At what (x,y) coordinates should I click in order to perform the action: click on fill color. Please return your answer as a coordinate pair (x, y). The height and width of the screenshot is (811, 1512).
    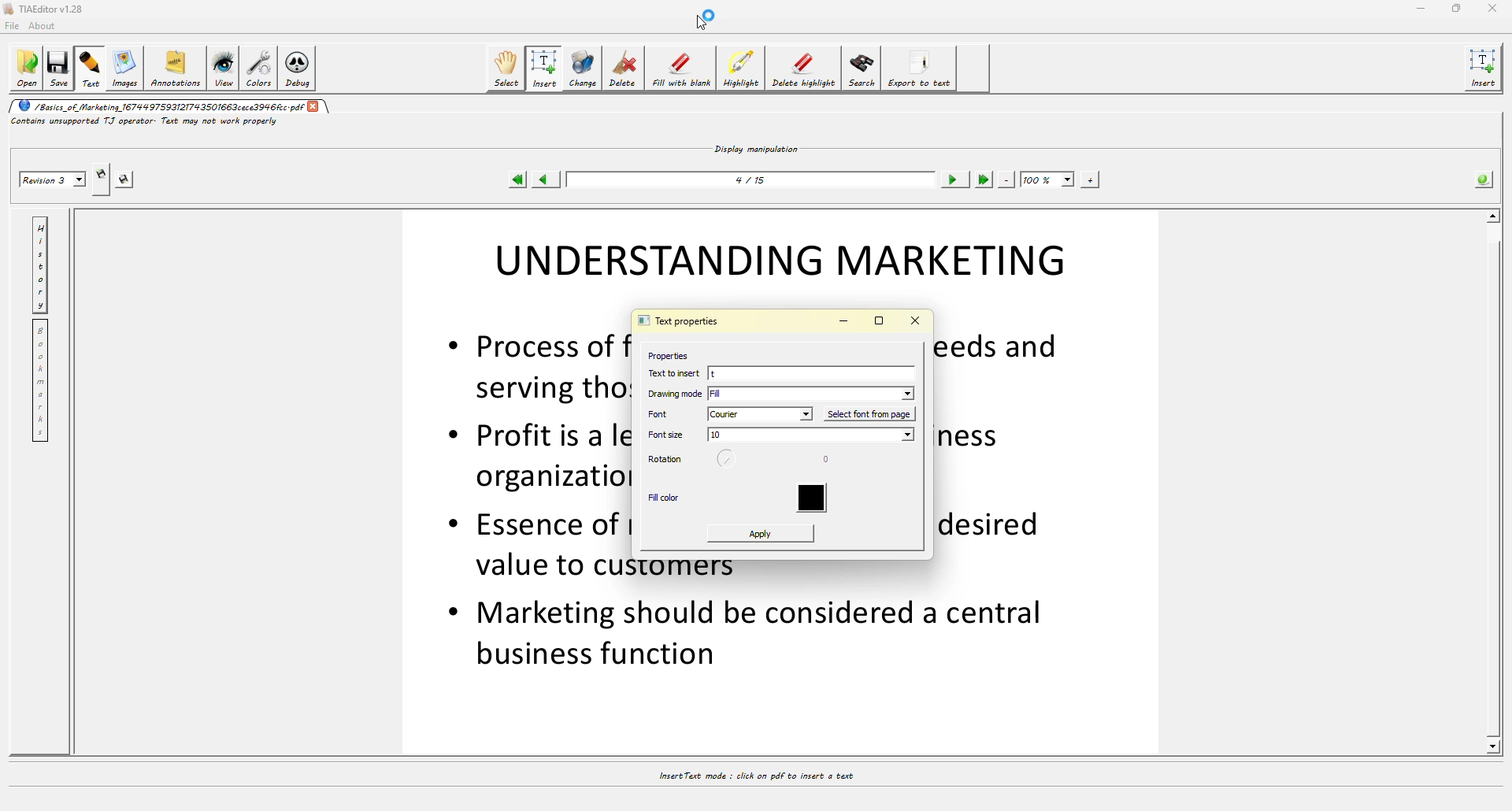
    Looking at the image, I should click on (665, 499).